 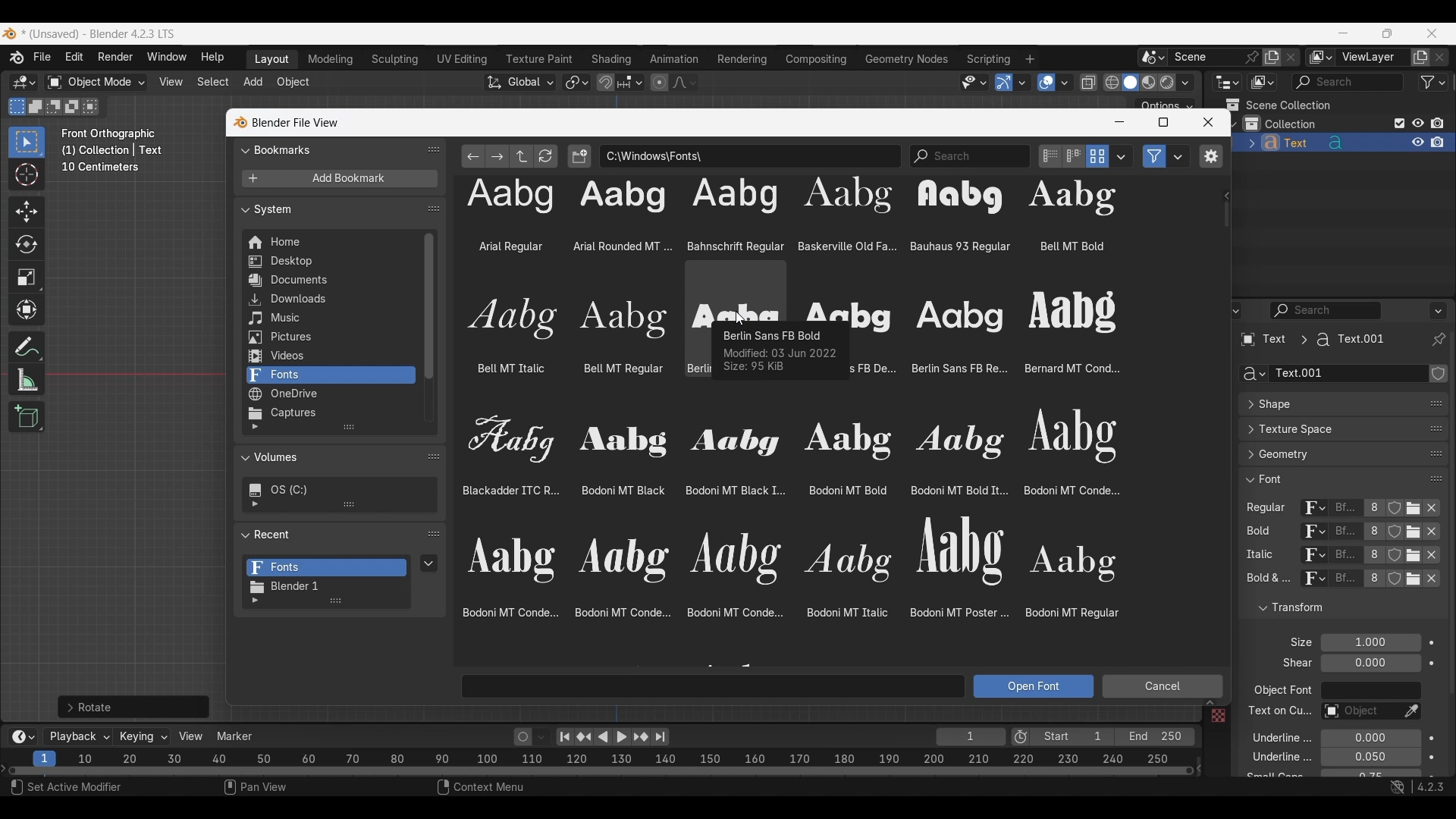 What do you see at coordinates (1185, 83) in the screenshot?
I see `Shading` at bounding box center [1185, 83].